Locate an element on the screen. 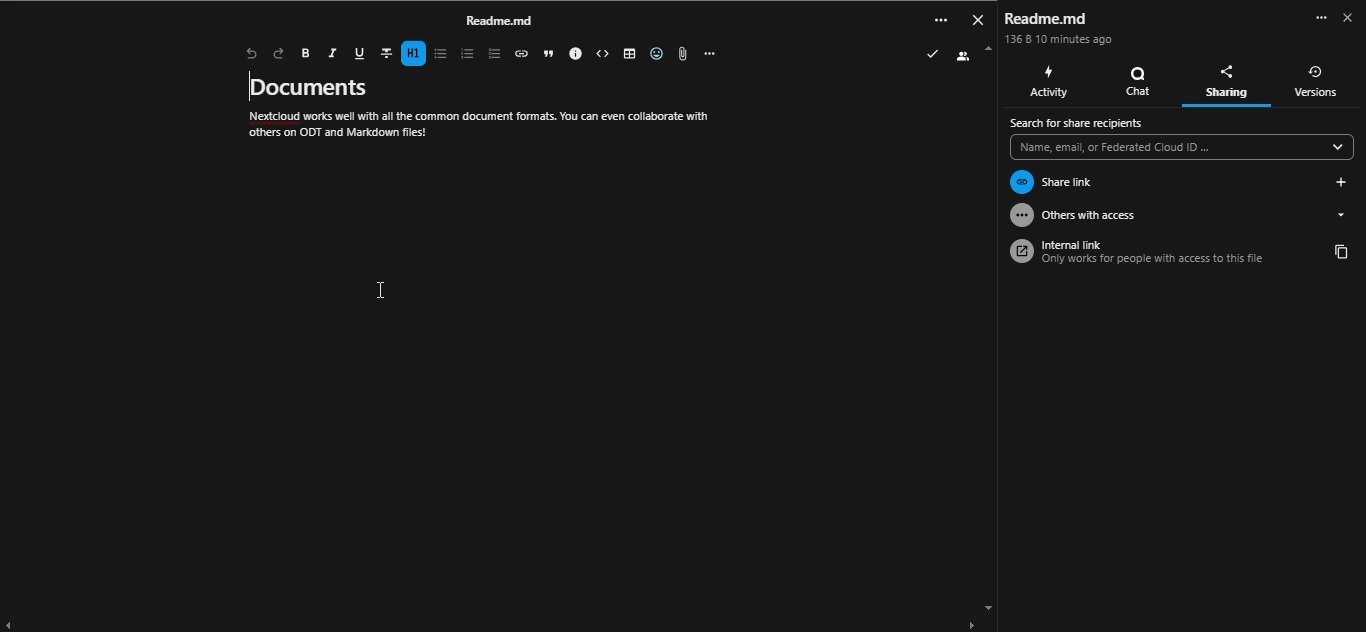 Image resolution: width=1366 pixels, height=632 pixels. attach is located at coordinates (682, 54).